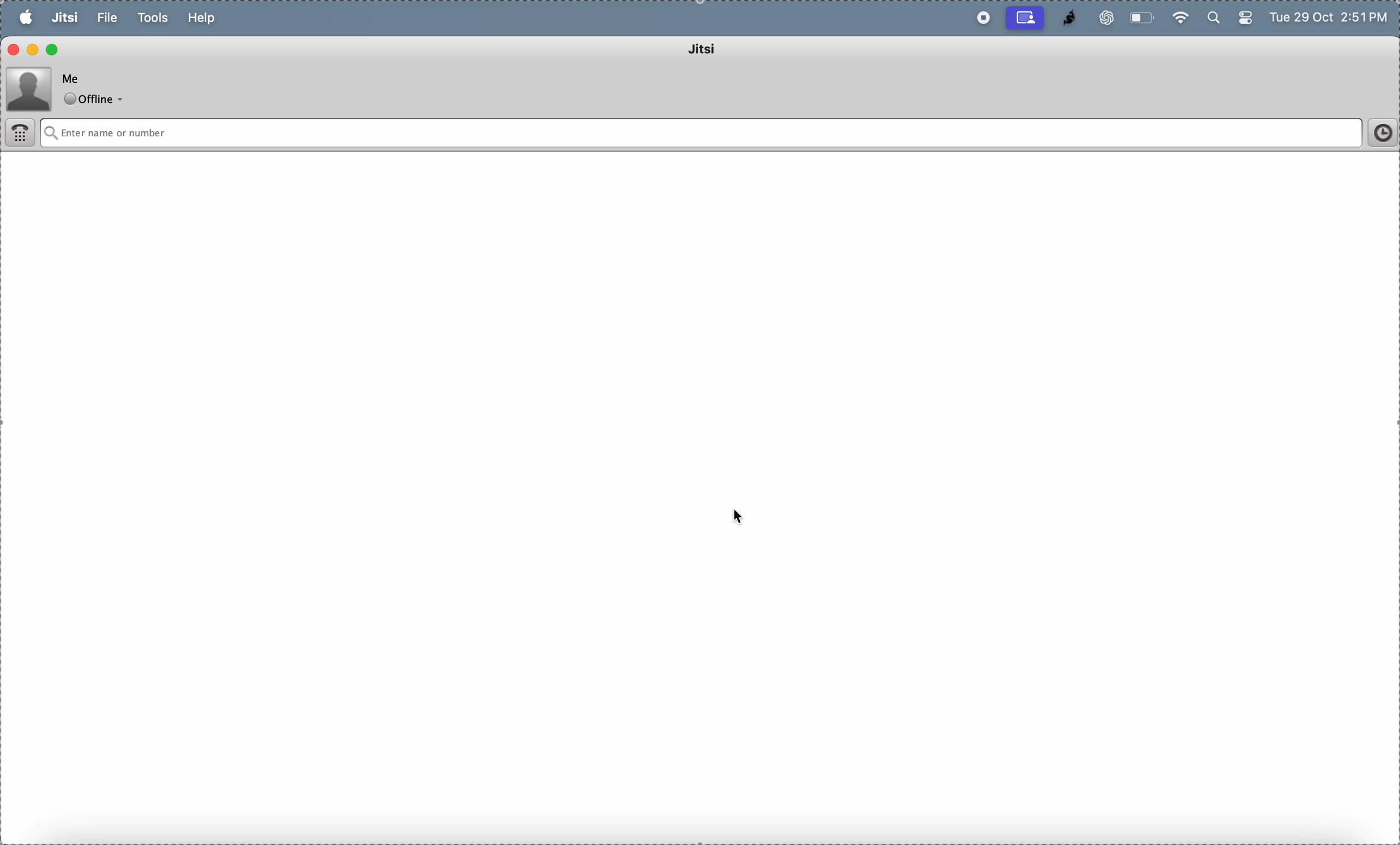 This screenshot has width=1400, height=845. What do you see at coordinates (1378, 133) in the screenshot?
I see `time frame` at bounding box center [1378, 133].